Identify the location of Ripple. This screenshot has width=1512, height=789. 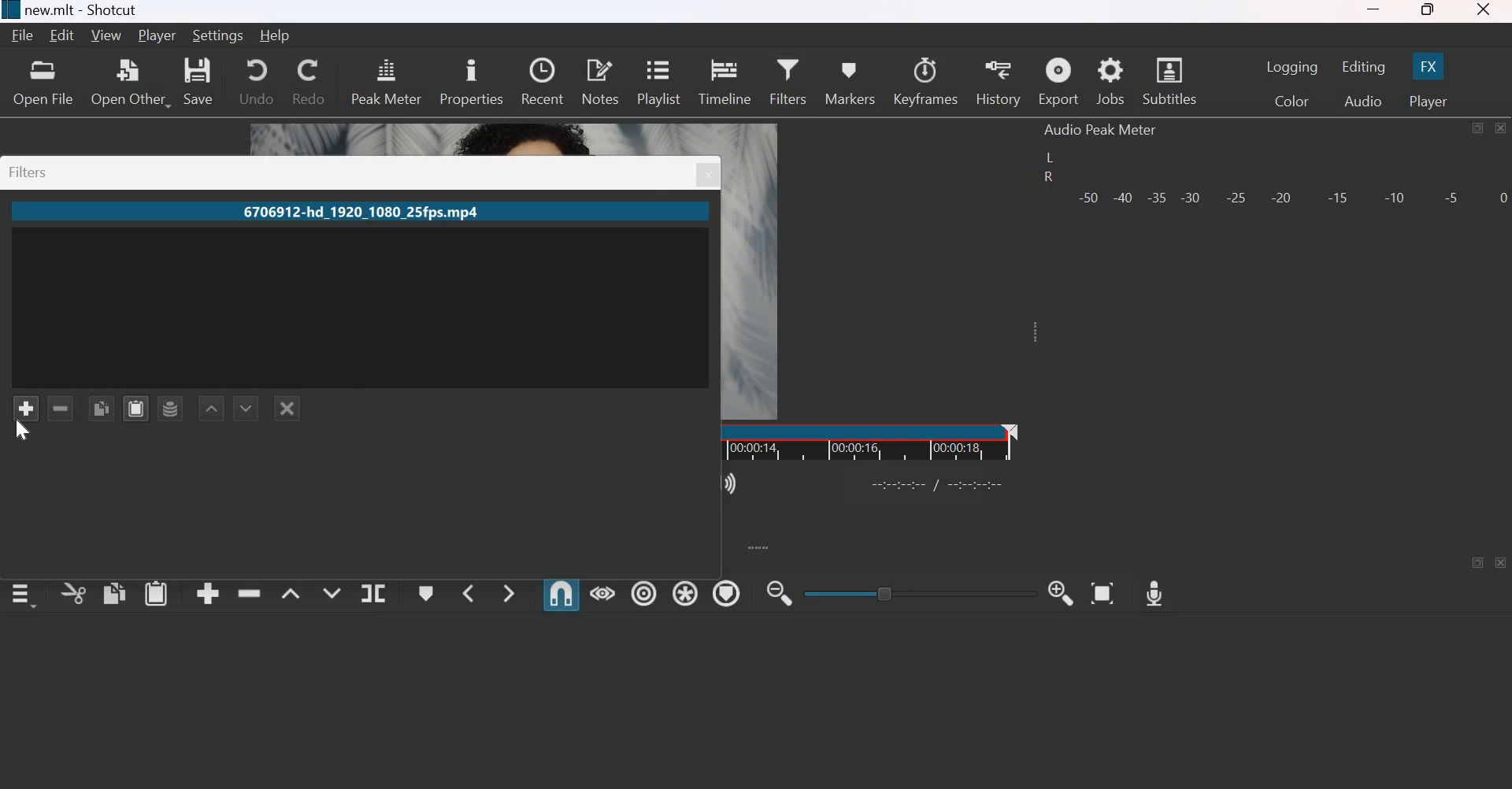
(644, 591).